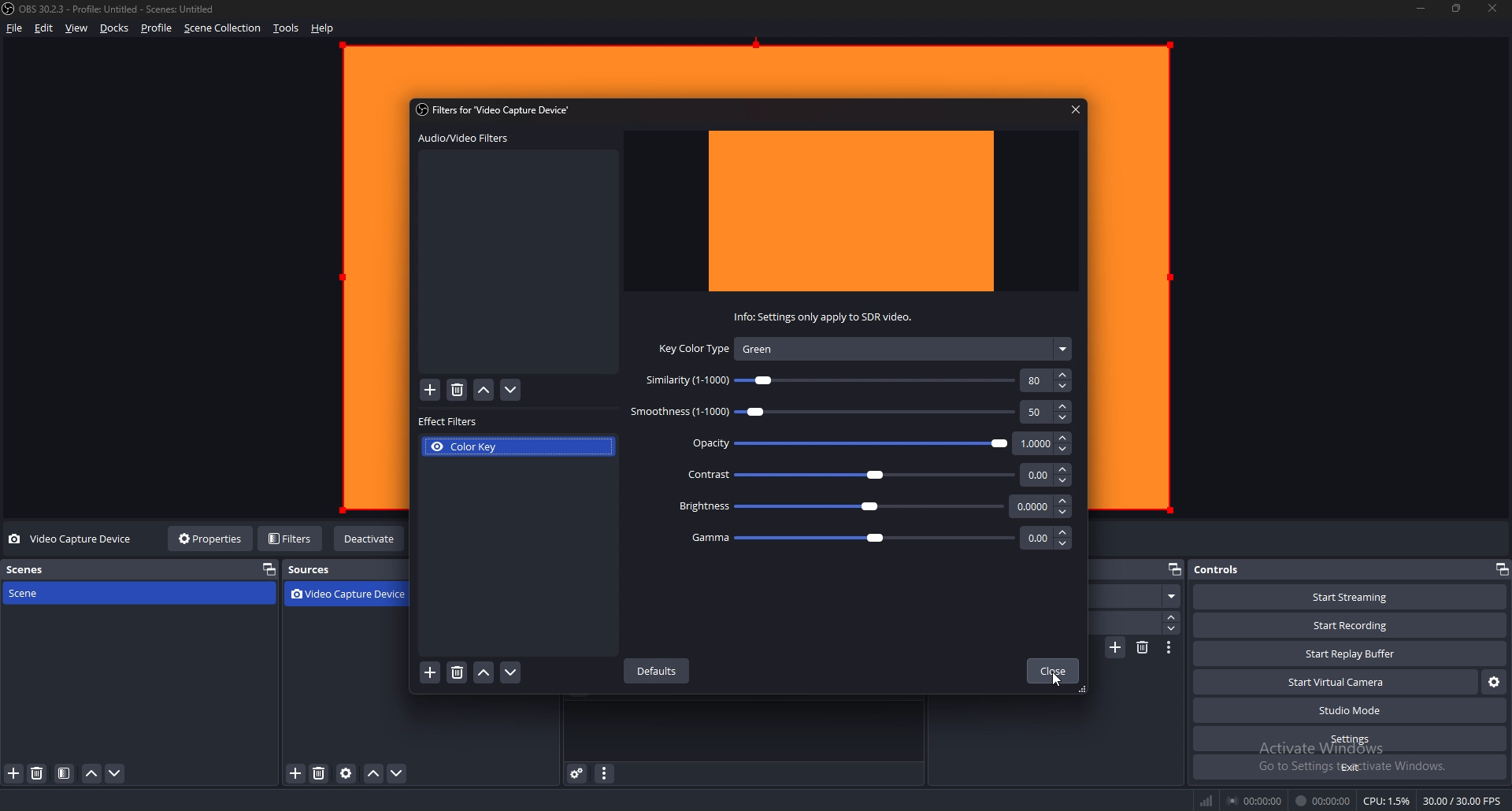 This screenshot has height=811, width=1512. I want to click on color key, so click(519, 446).